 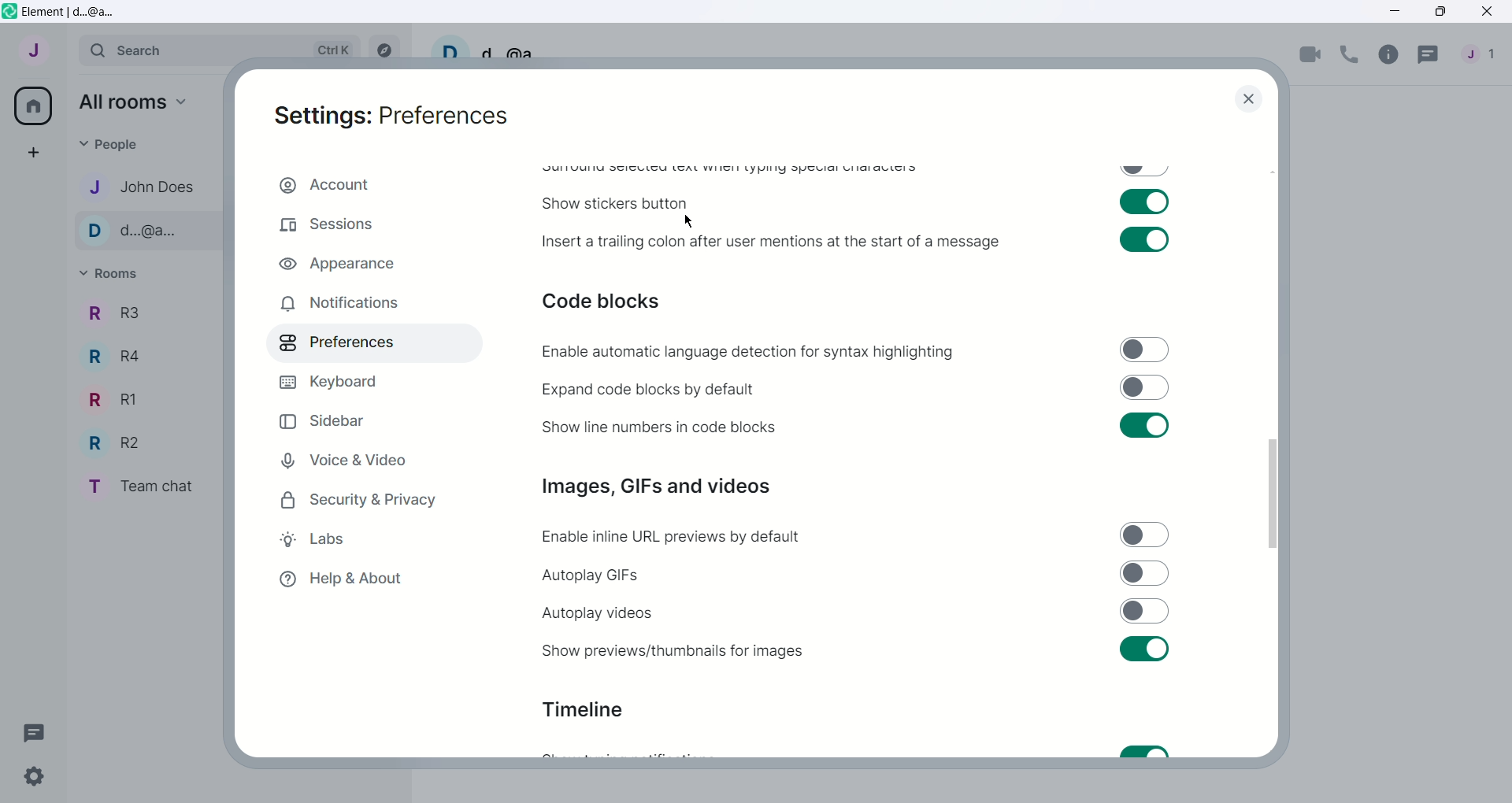 What do you see at coordinates (35, 732) in the screenshot?
I see `Threads` at bounding box center [35, 732].